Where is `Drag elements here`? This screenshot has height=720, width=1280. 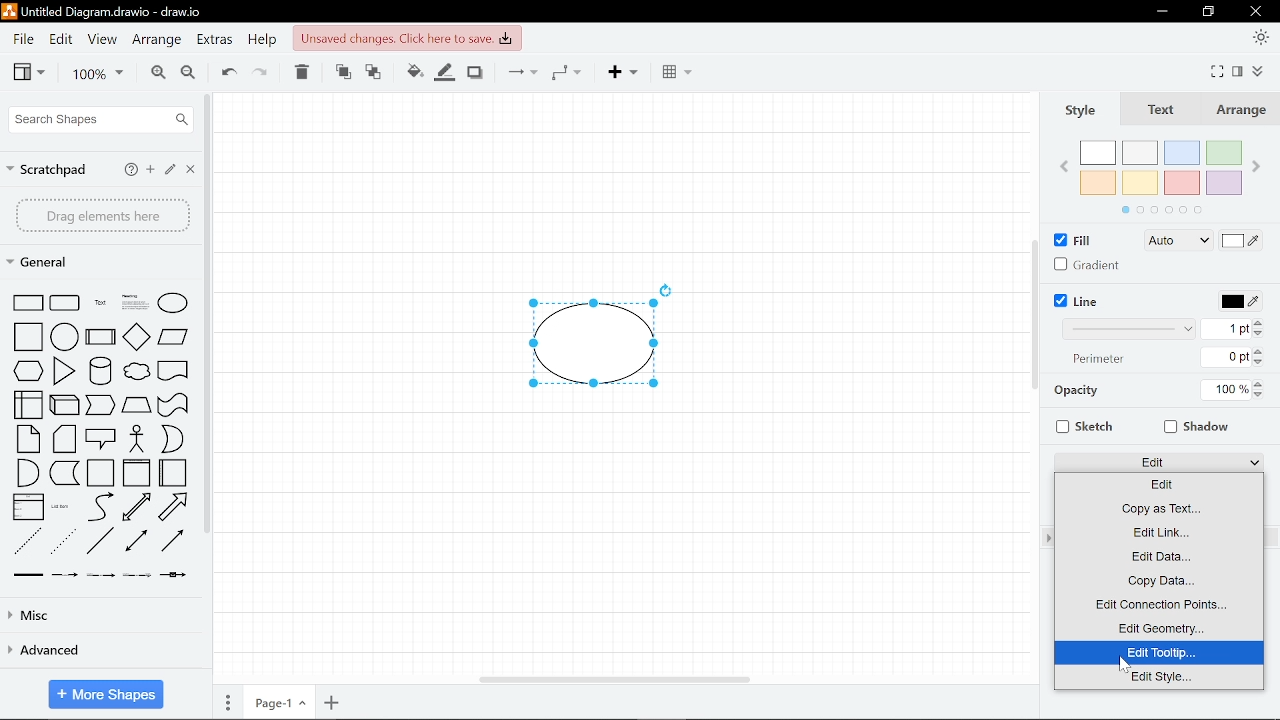 Drag elements here is located at coordinates (103, 215).